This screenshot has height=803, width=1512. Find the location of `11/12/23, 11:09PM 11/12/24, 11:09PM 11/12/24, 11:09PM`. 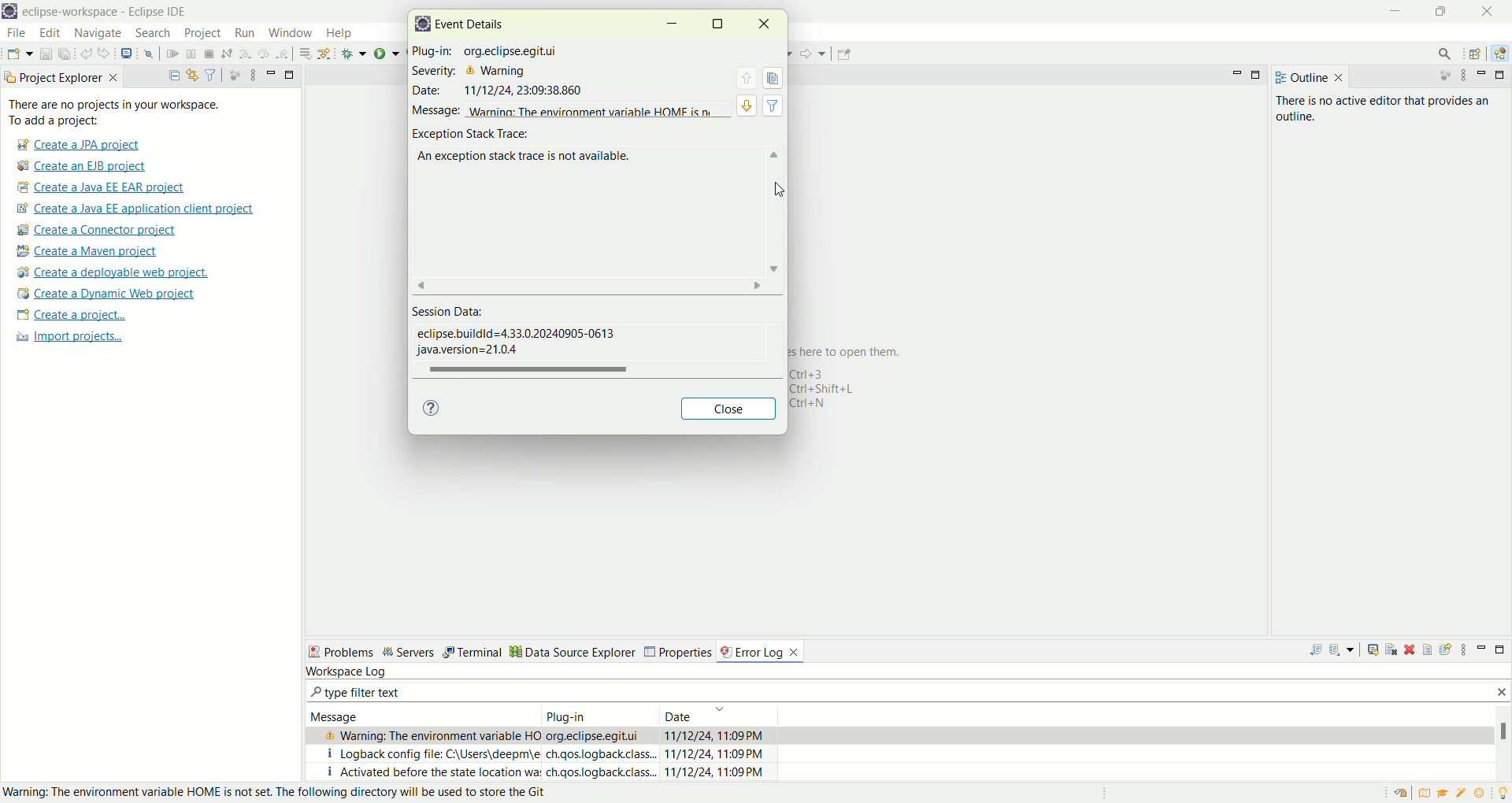

11/12/23, 11:09PM 11/12/24, 11:09PM 11/12/24, 11:09PM is located at coordinates (716, 754).